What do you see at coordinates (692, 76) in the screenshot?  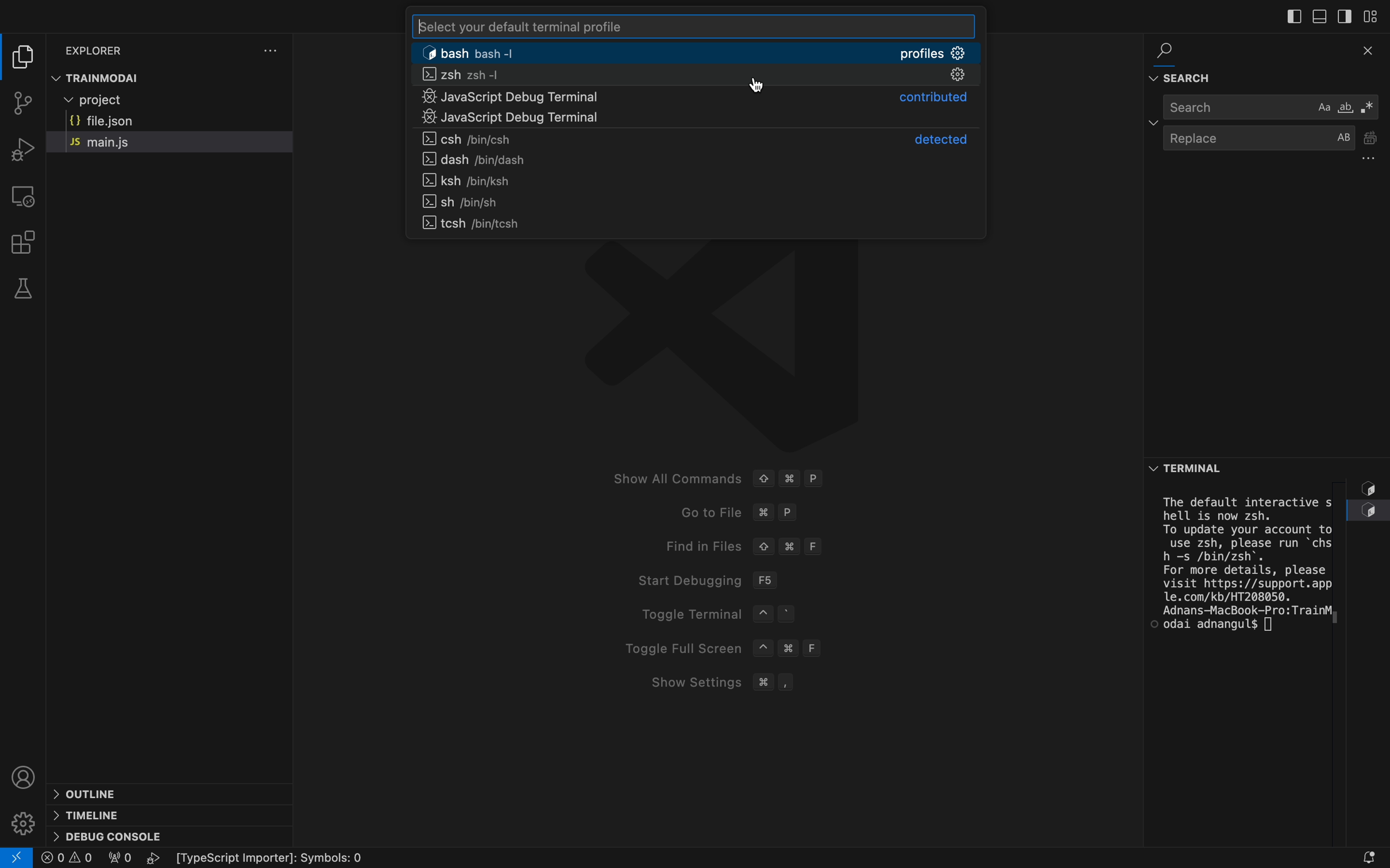 I see `zsh terminal` at bounding box center [692, 76].